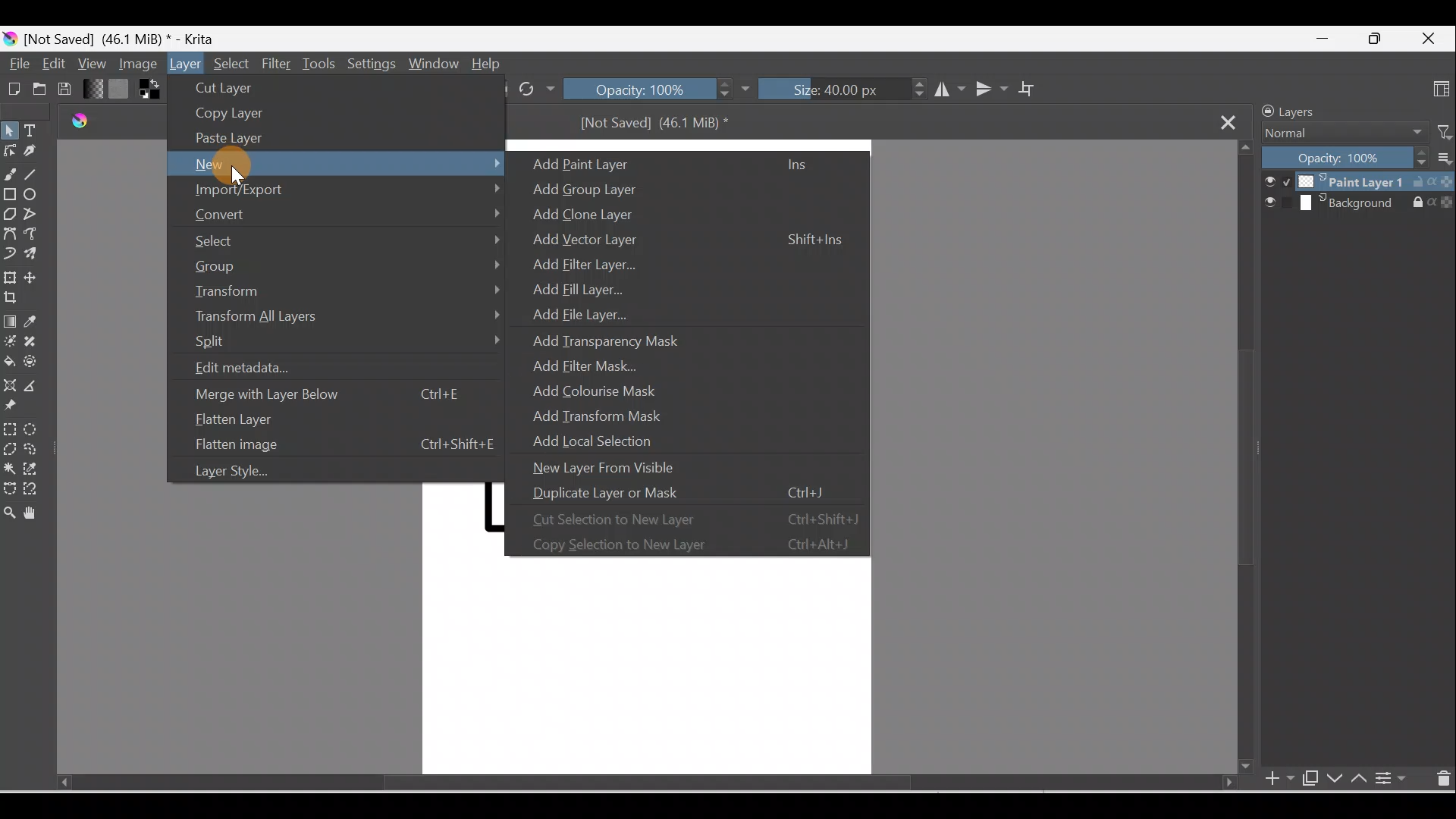  Describe the element at coordinates (1232, 122) in the screenshot. I see `Close tab` at that location.